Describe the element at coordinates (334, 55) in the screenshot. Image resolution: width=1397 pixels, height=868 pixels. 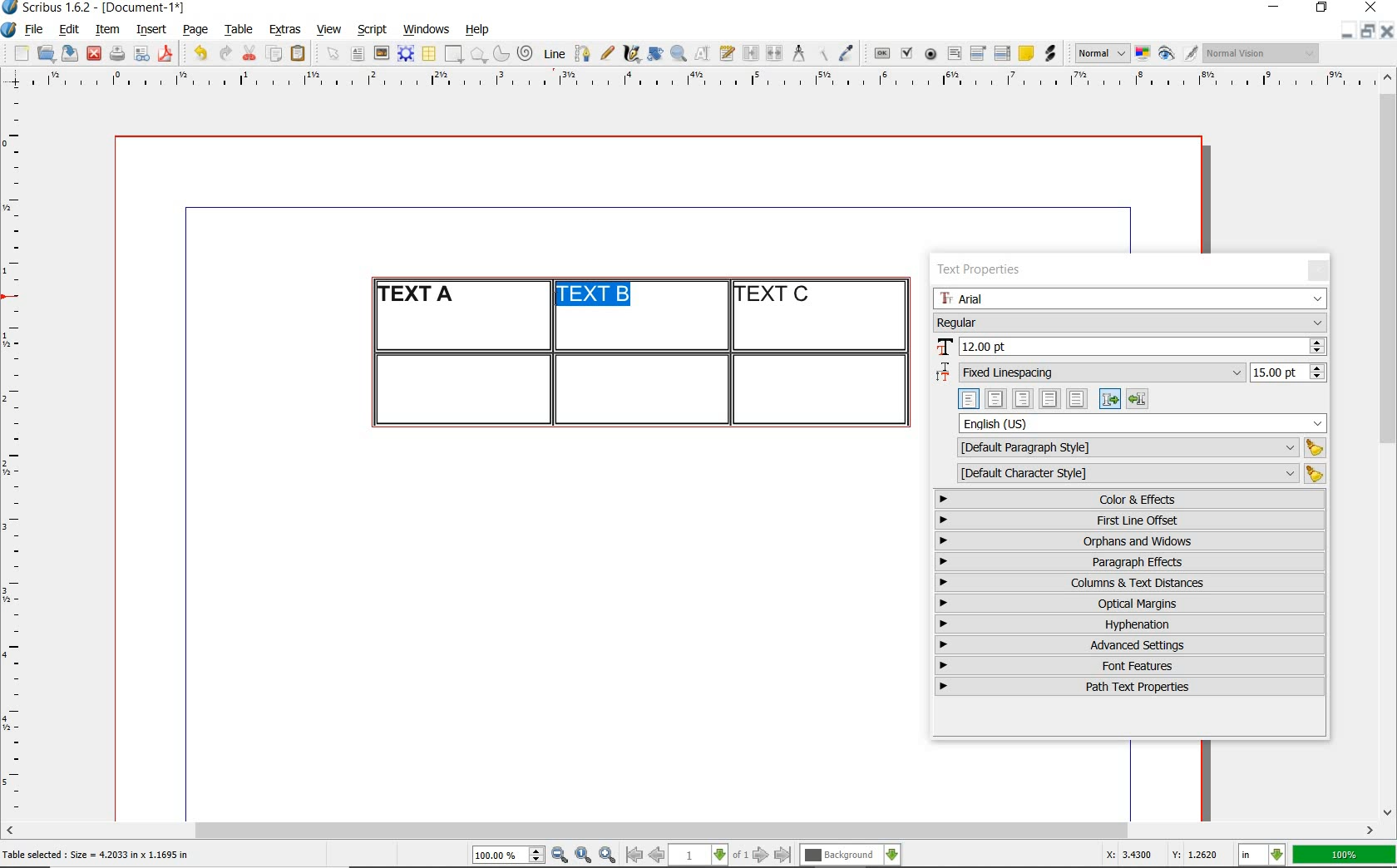
I see `select` at that location.